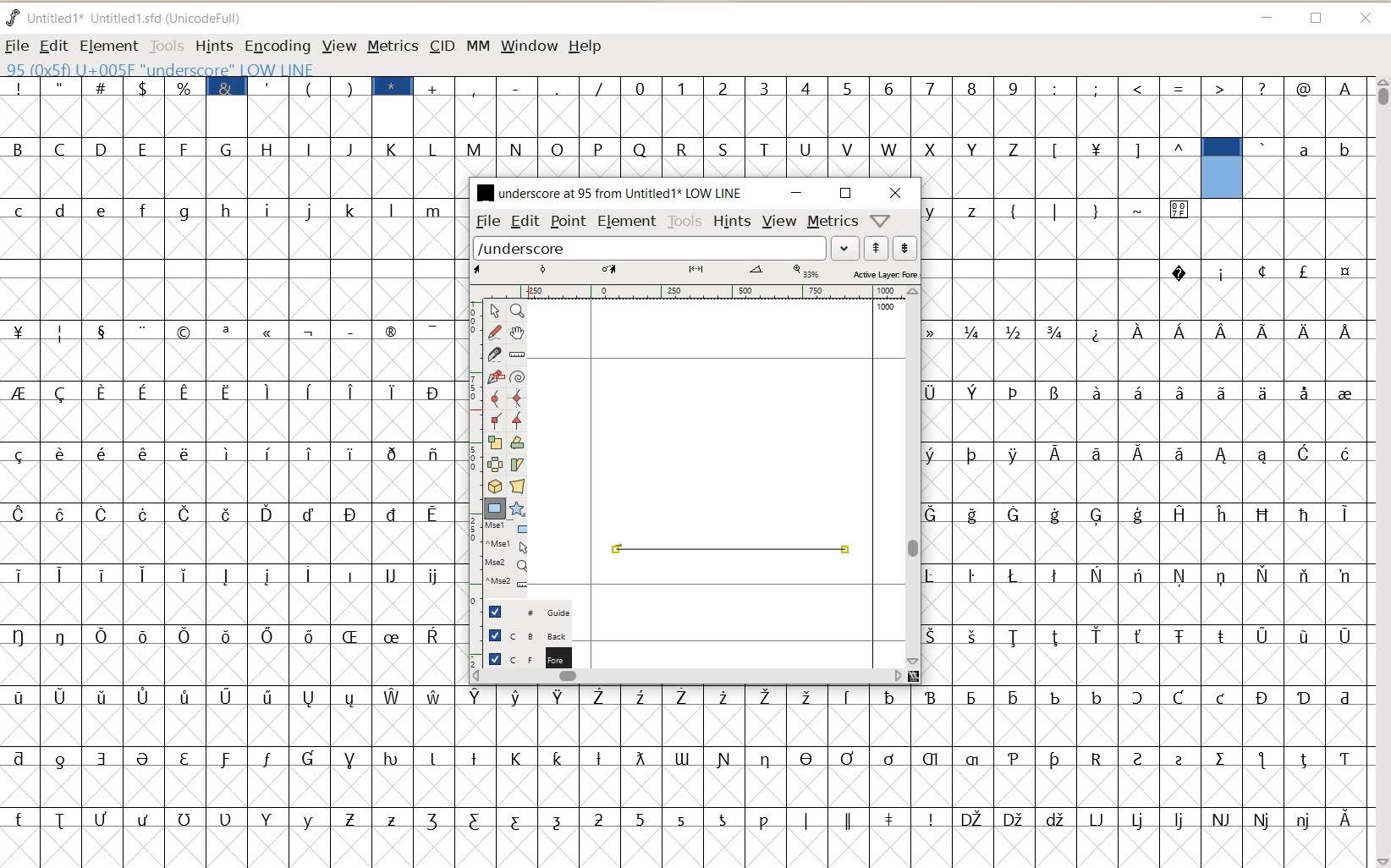  What do you see at coordinates (1381, 472) in the screenshot?
I see `SCROLLBAR` at bounding box center [1381, 472].